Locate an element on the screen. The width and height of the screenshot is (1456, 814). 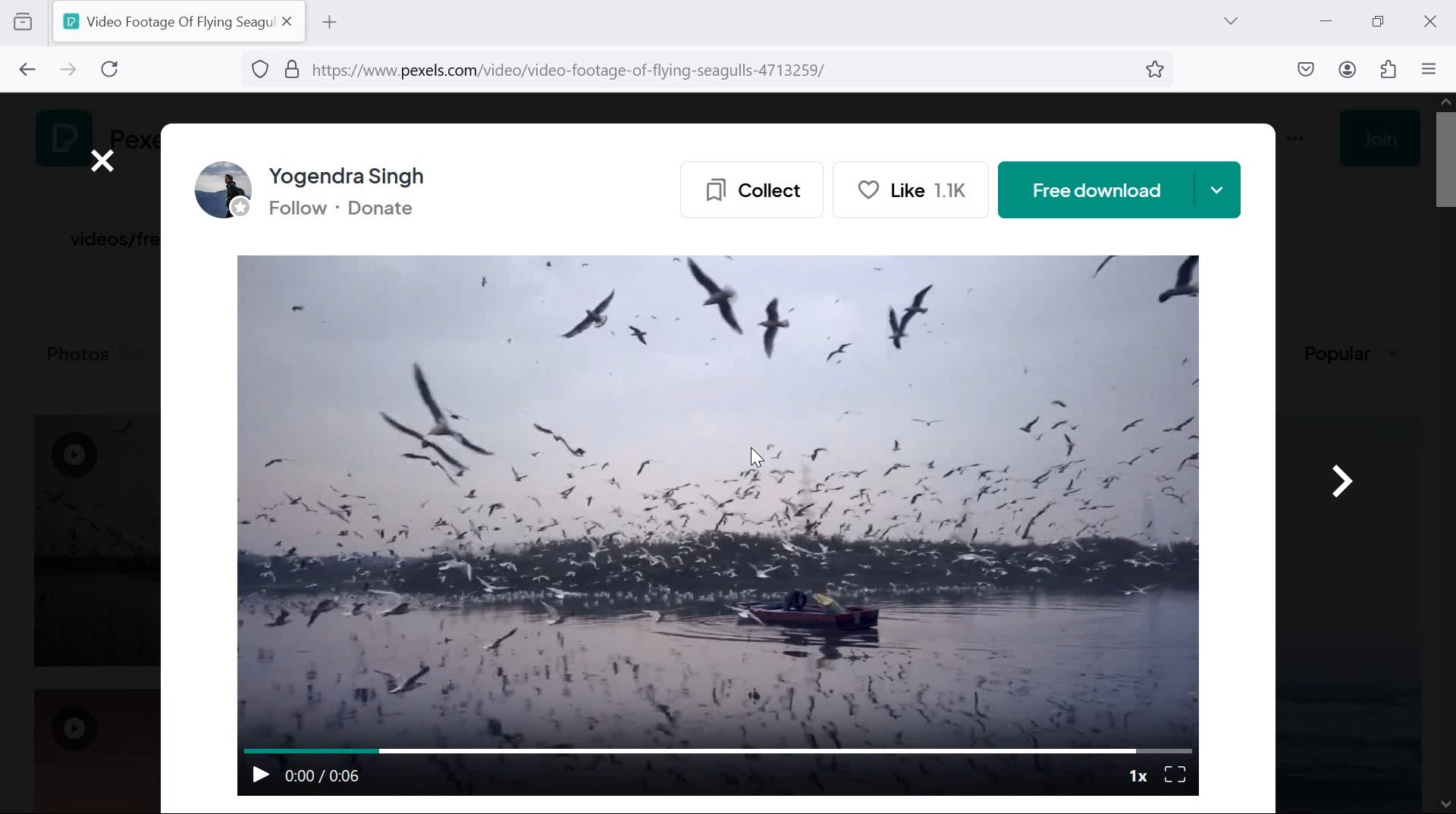
close is located at coordinates (289, 22).